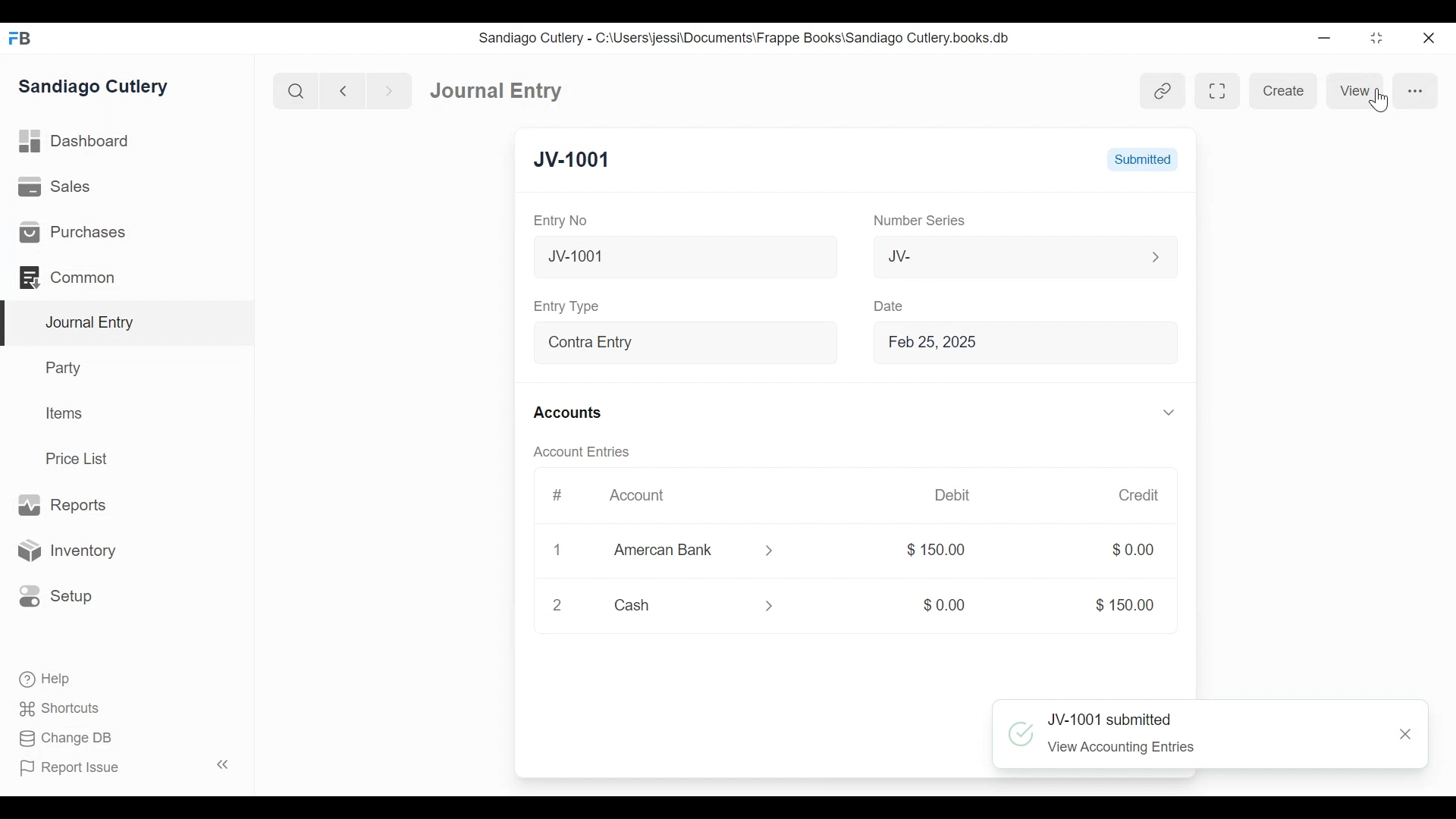 Image resolution: width=1456 pixels, height=819 pixels. I want to click on Dashboard, so click(76, 142).